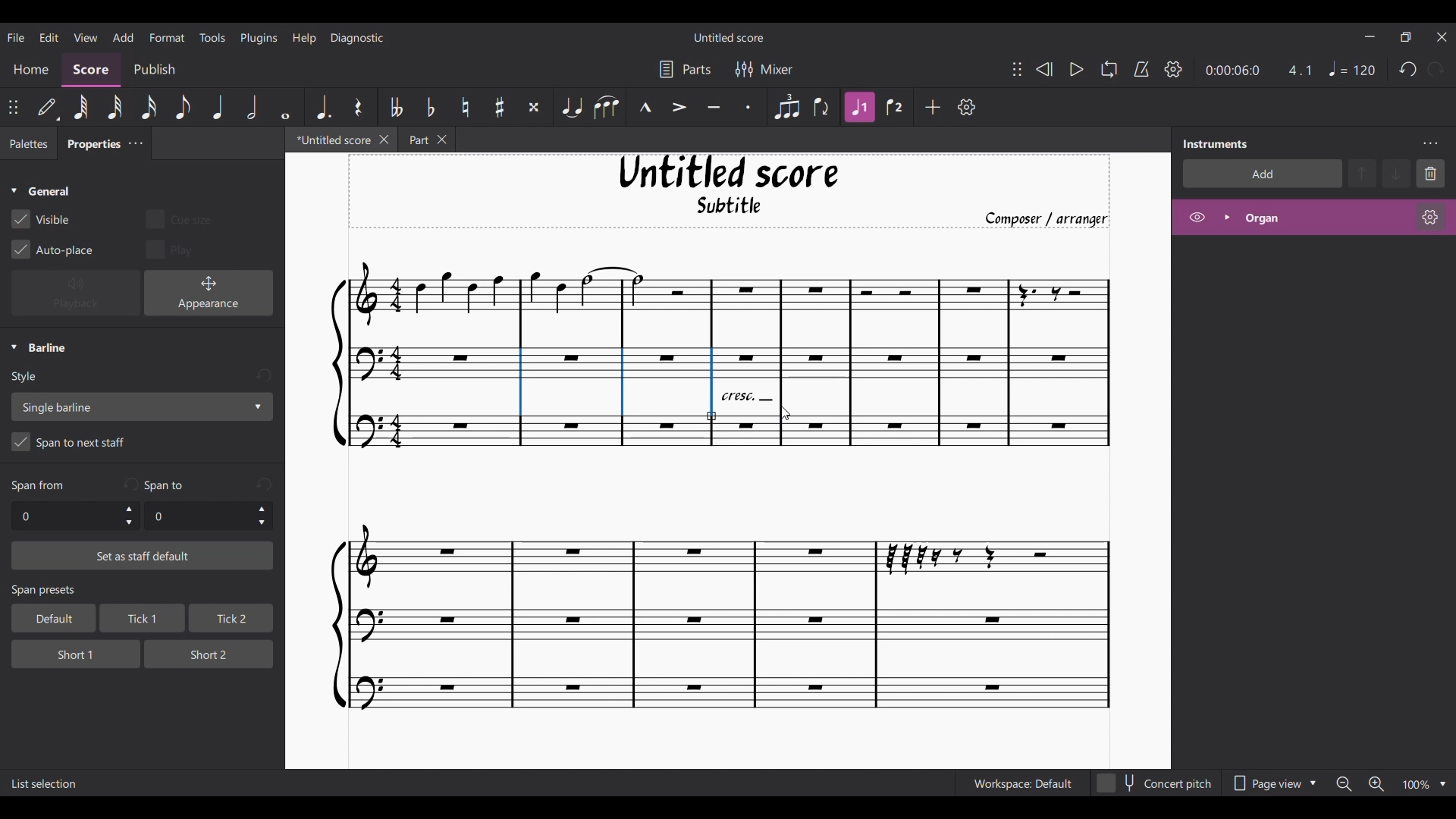  I want to click on Toggle for Auto-place, so click(53, 249).